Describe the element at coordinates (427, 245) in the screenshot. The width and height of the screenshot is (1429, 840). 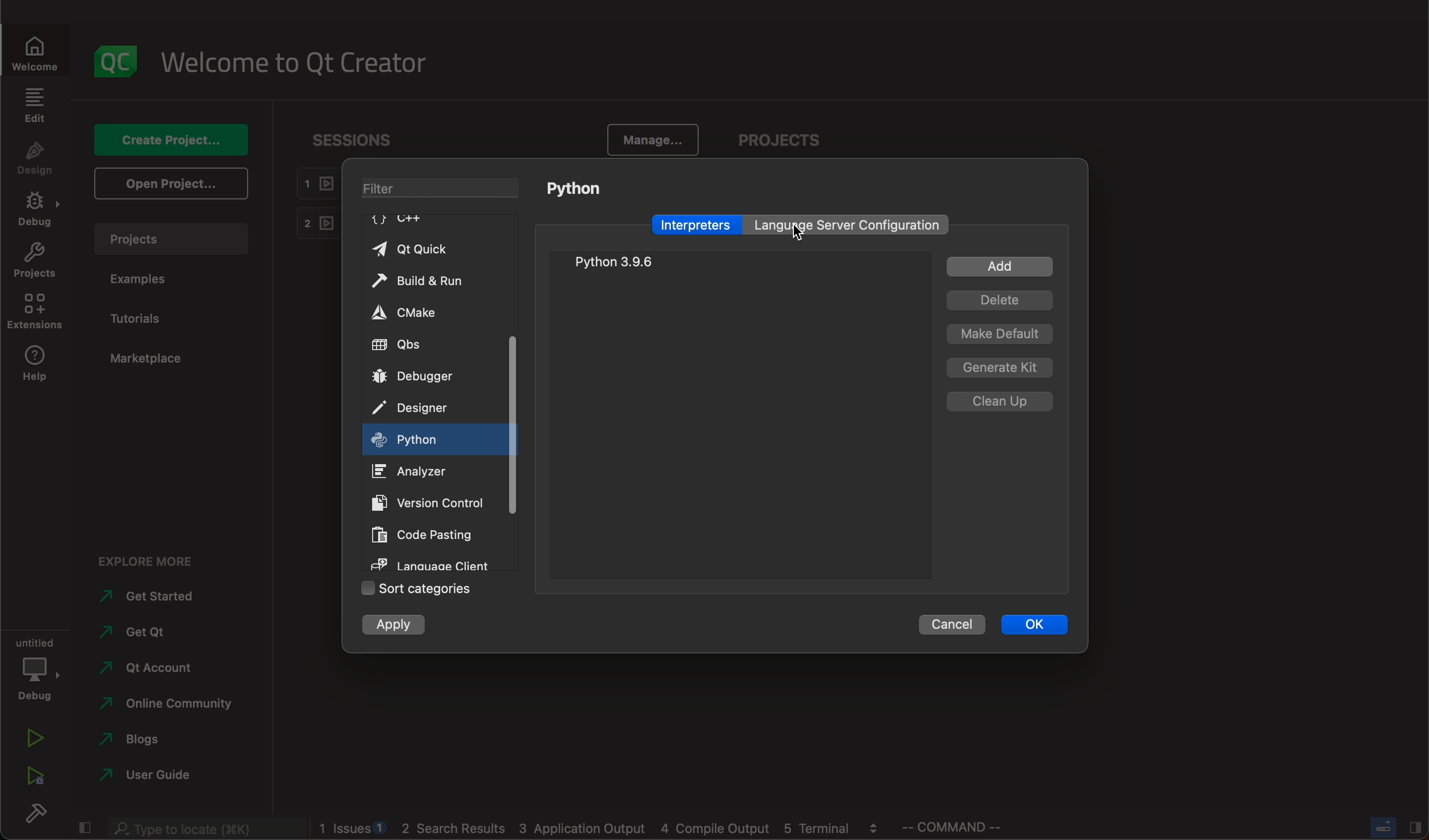
I see `qt quick` at that location.